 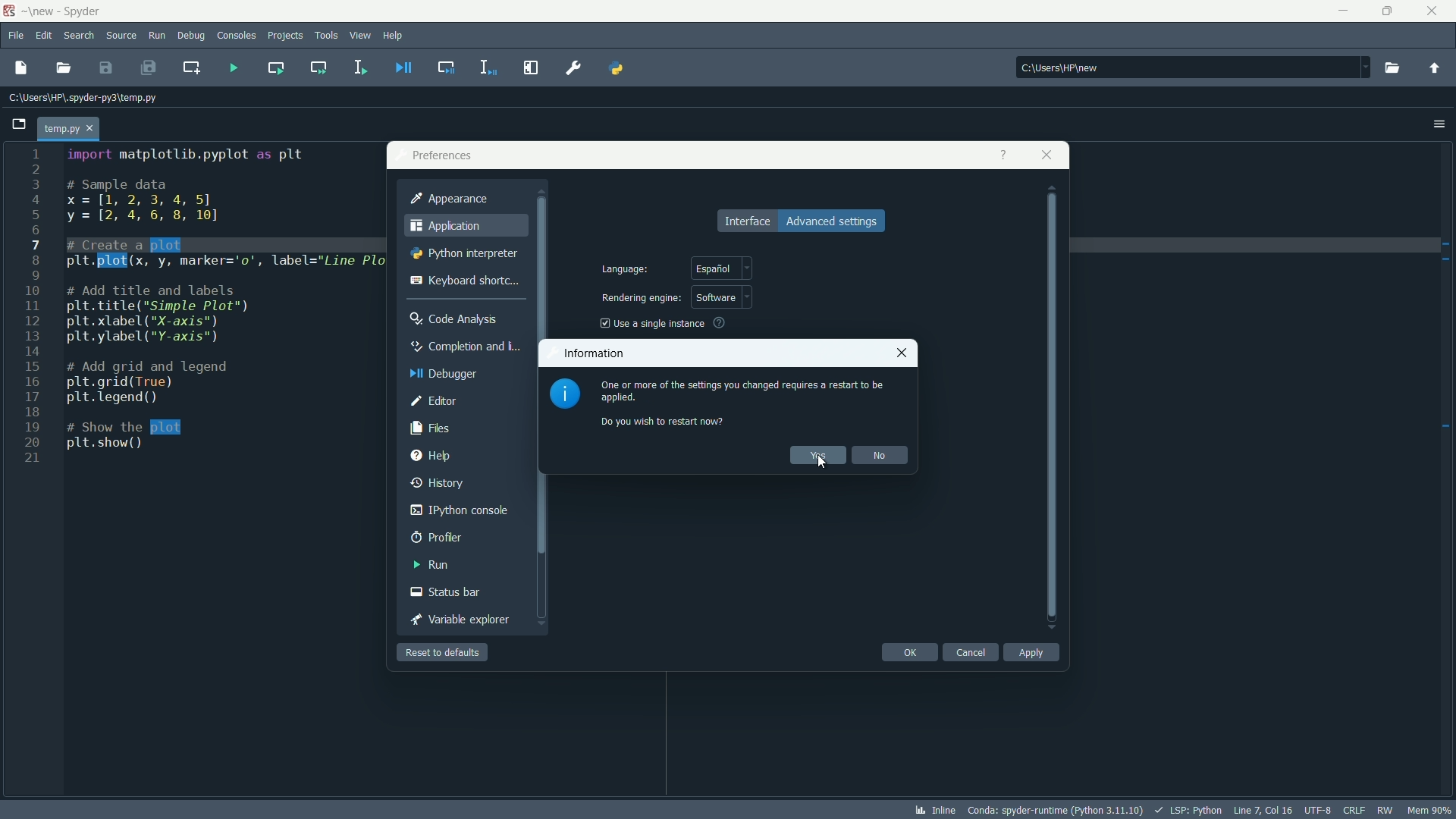 I want to click on lsp:python, so click(x=1186, y=810).